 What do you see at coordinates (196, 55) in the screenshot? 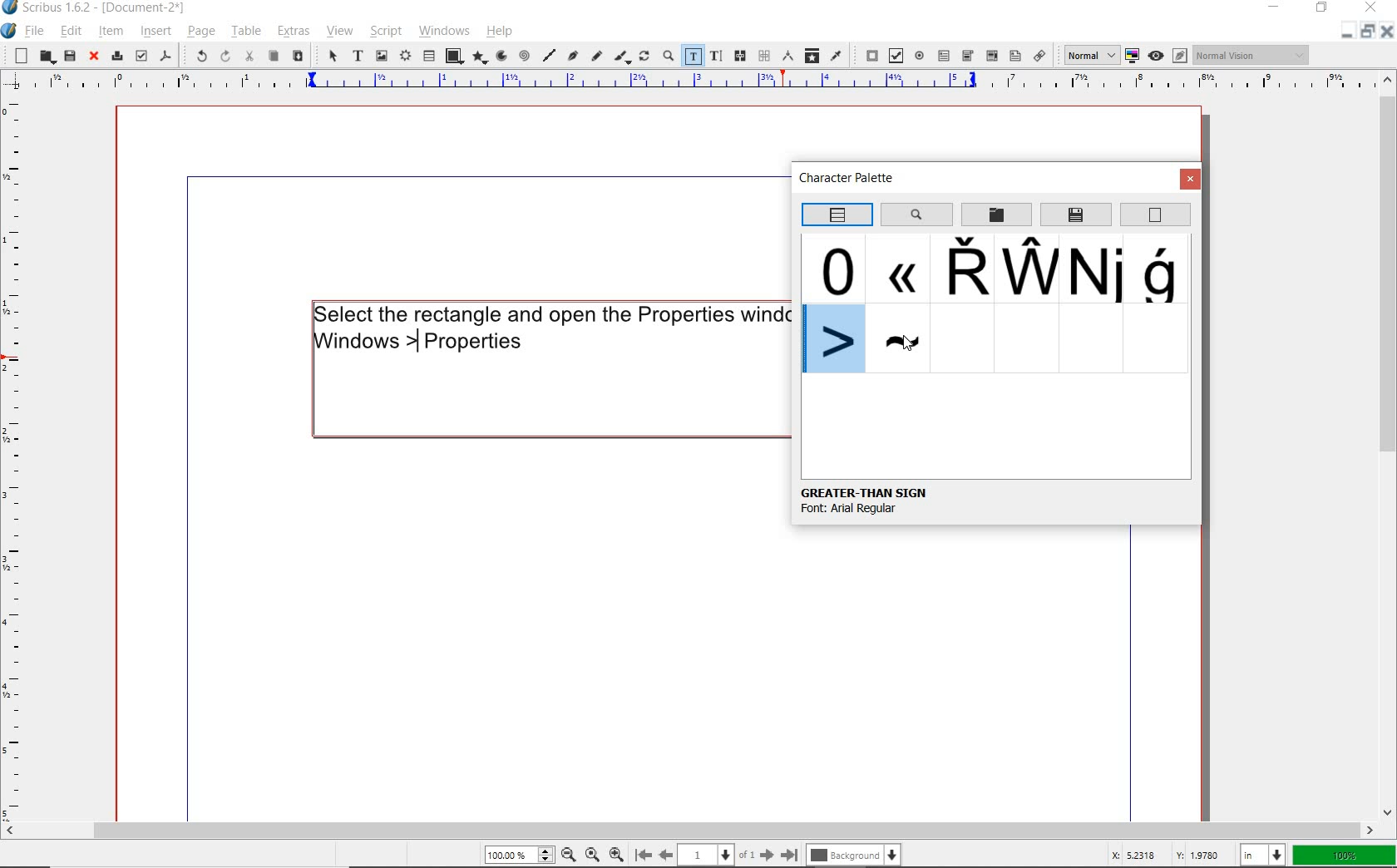
I see `undo` at bounding box center [196, 55].